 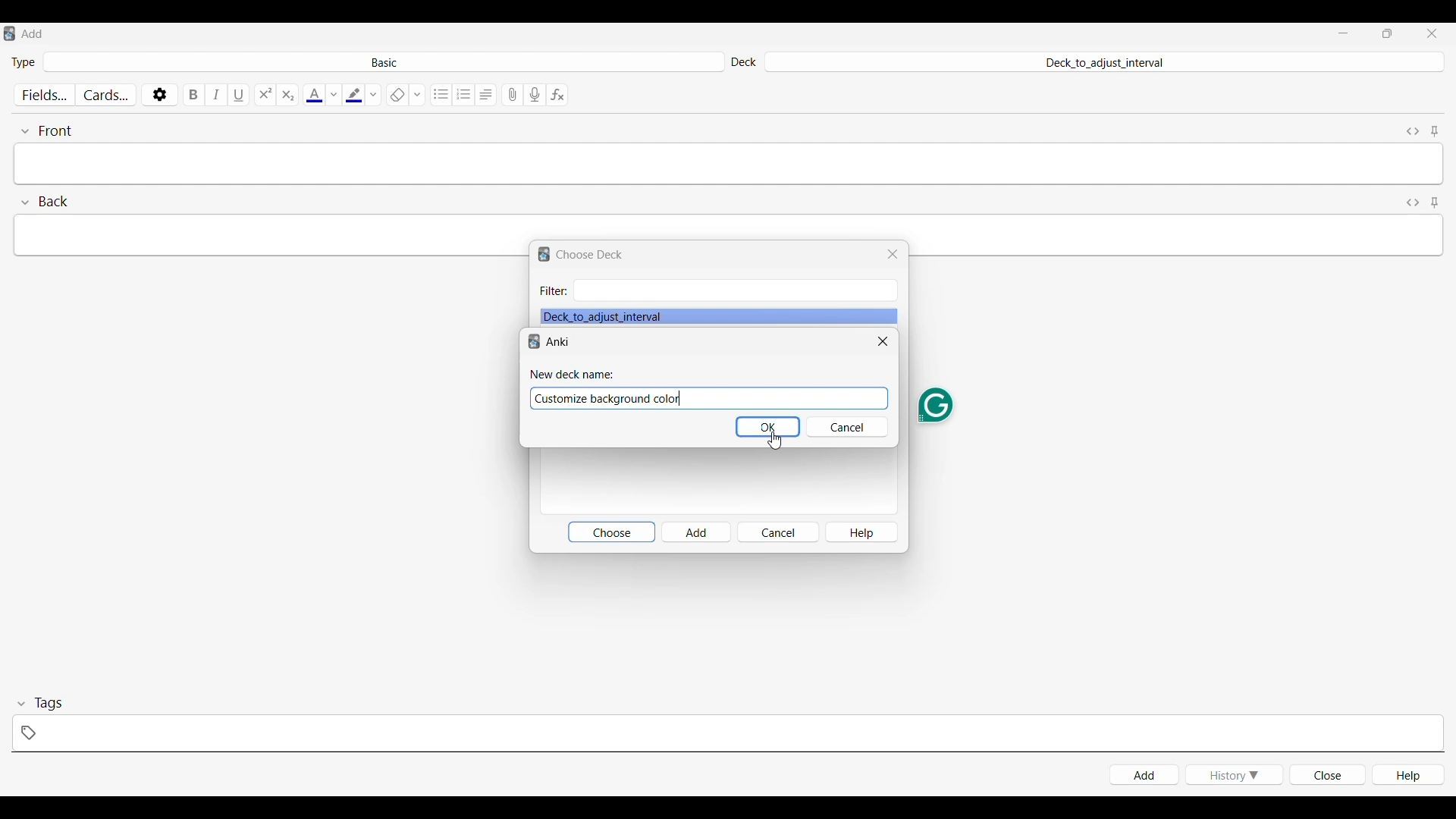 What do you see at coordinates (240, 94) in the screenshot?
I see `Underline ` at bounding box center [240, 94].